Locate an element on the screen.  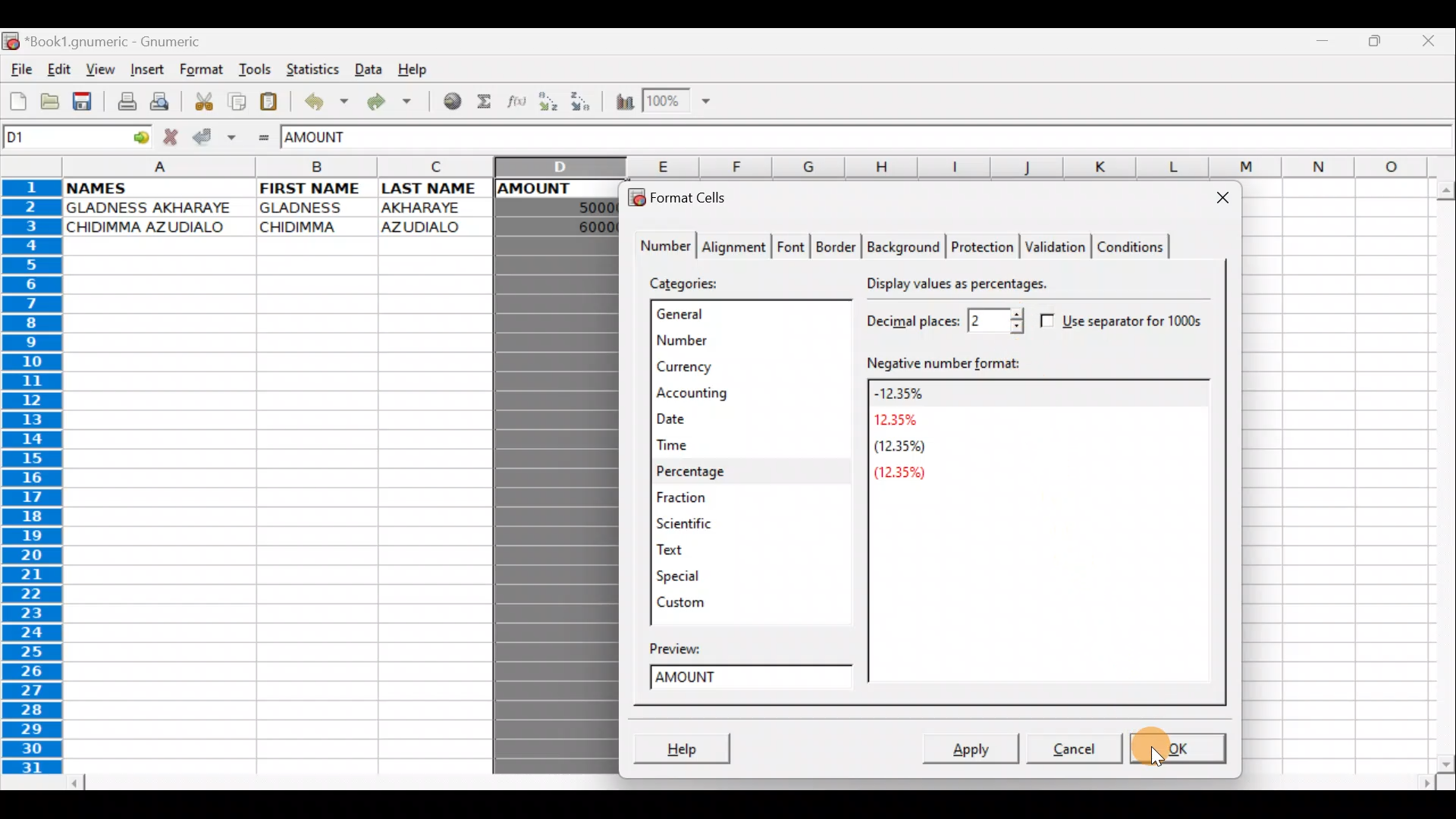
Cancel is located at coordinates (1068, 752).